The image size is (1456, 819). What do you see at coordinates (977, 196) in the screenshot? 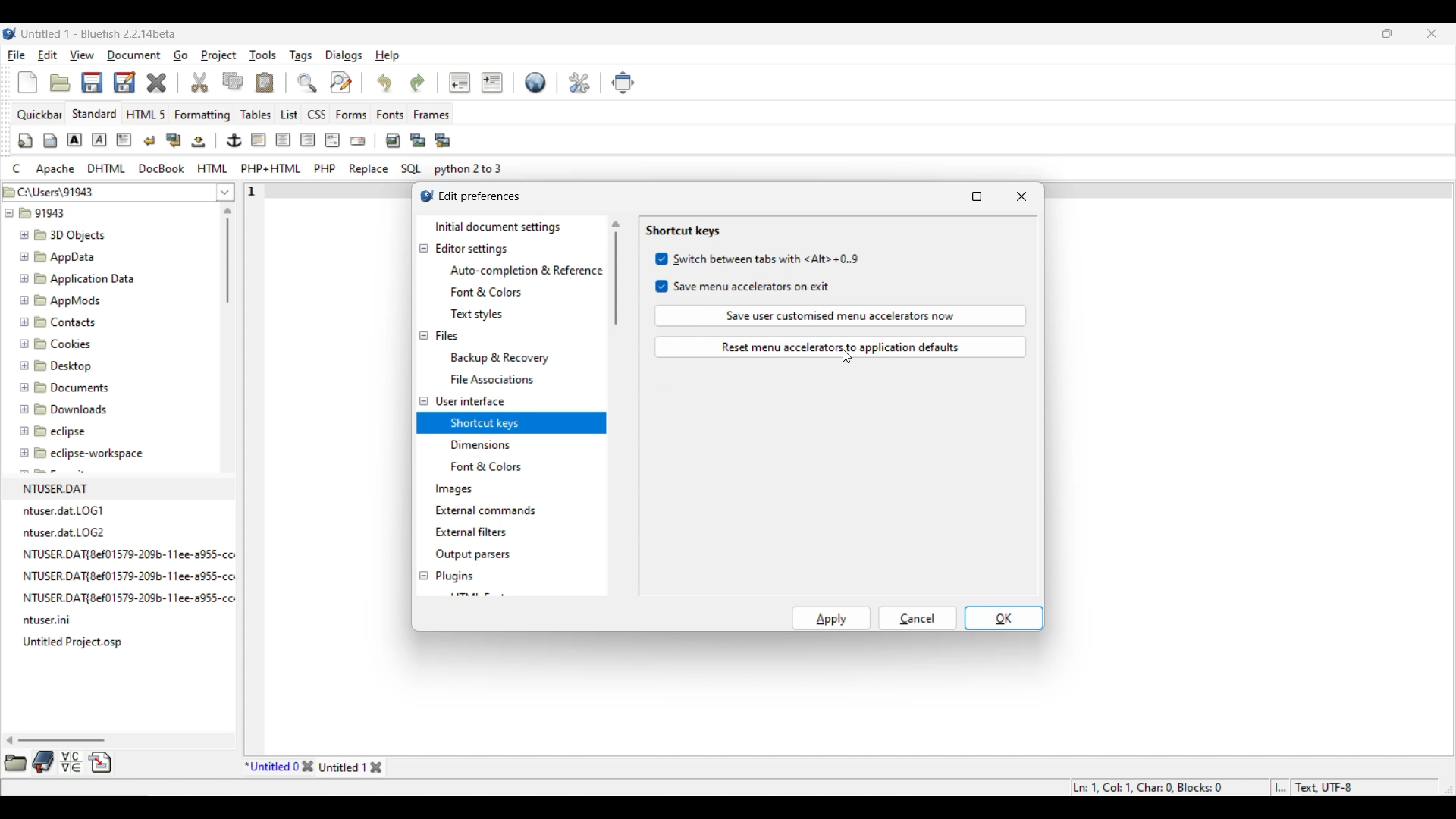
I see `Maximize` at bounding box center [977, 196].